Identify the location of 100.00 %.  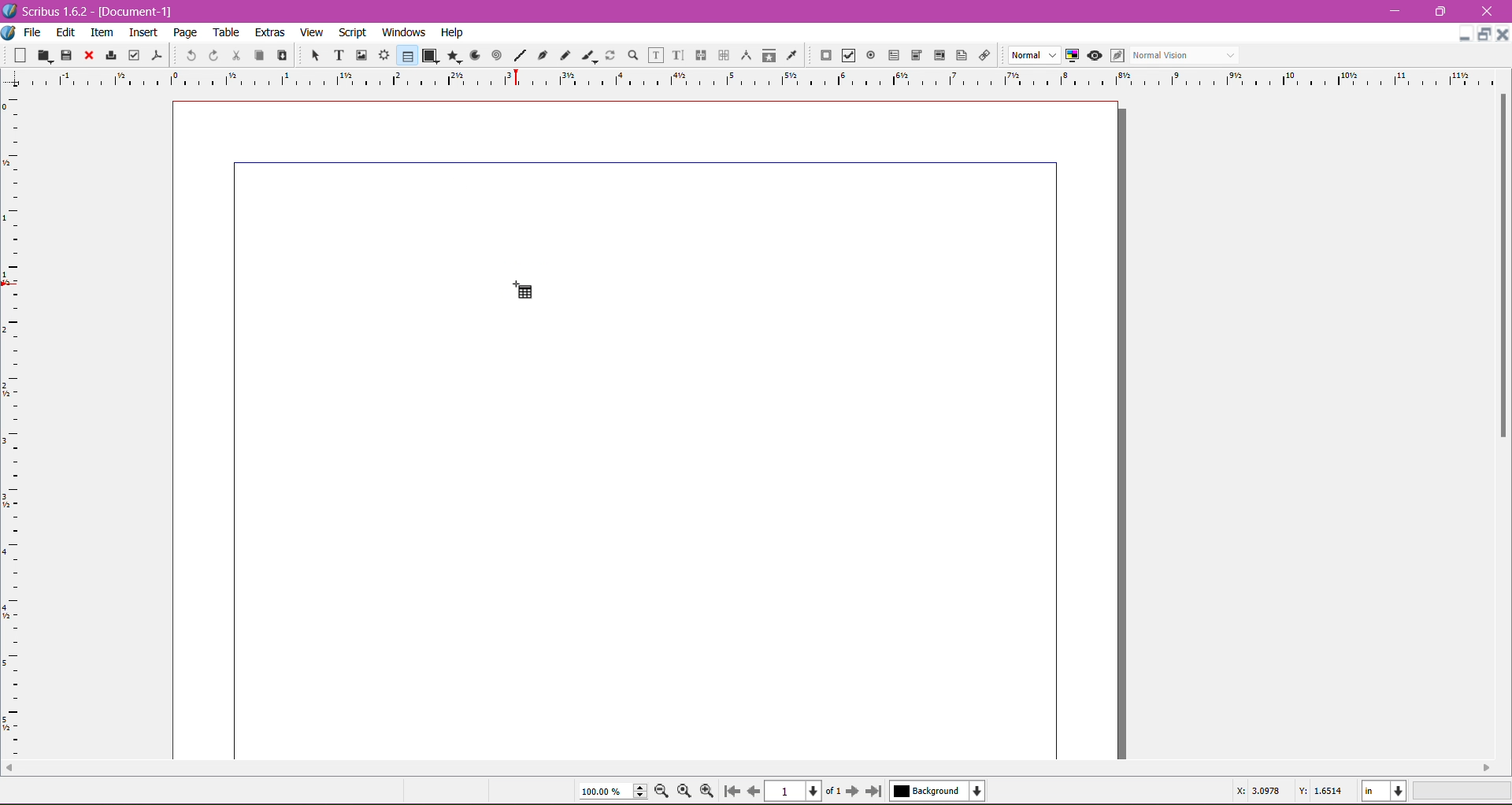
(613, 792).